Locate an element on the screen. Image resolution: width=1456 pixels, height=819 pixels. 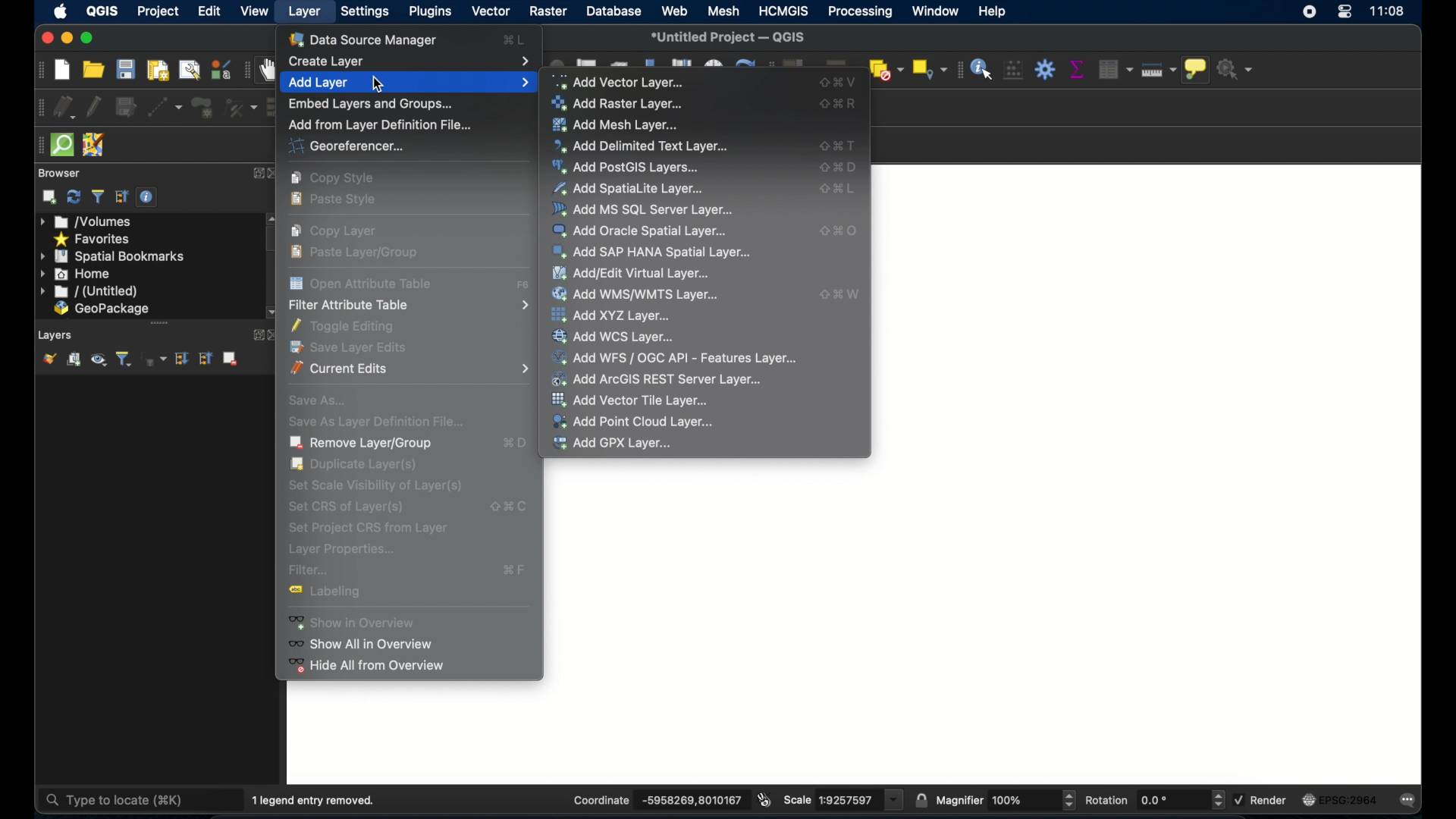
favorites is located at coordinates (94, 238).